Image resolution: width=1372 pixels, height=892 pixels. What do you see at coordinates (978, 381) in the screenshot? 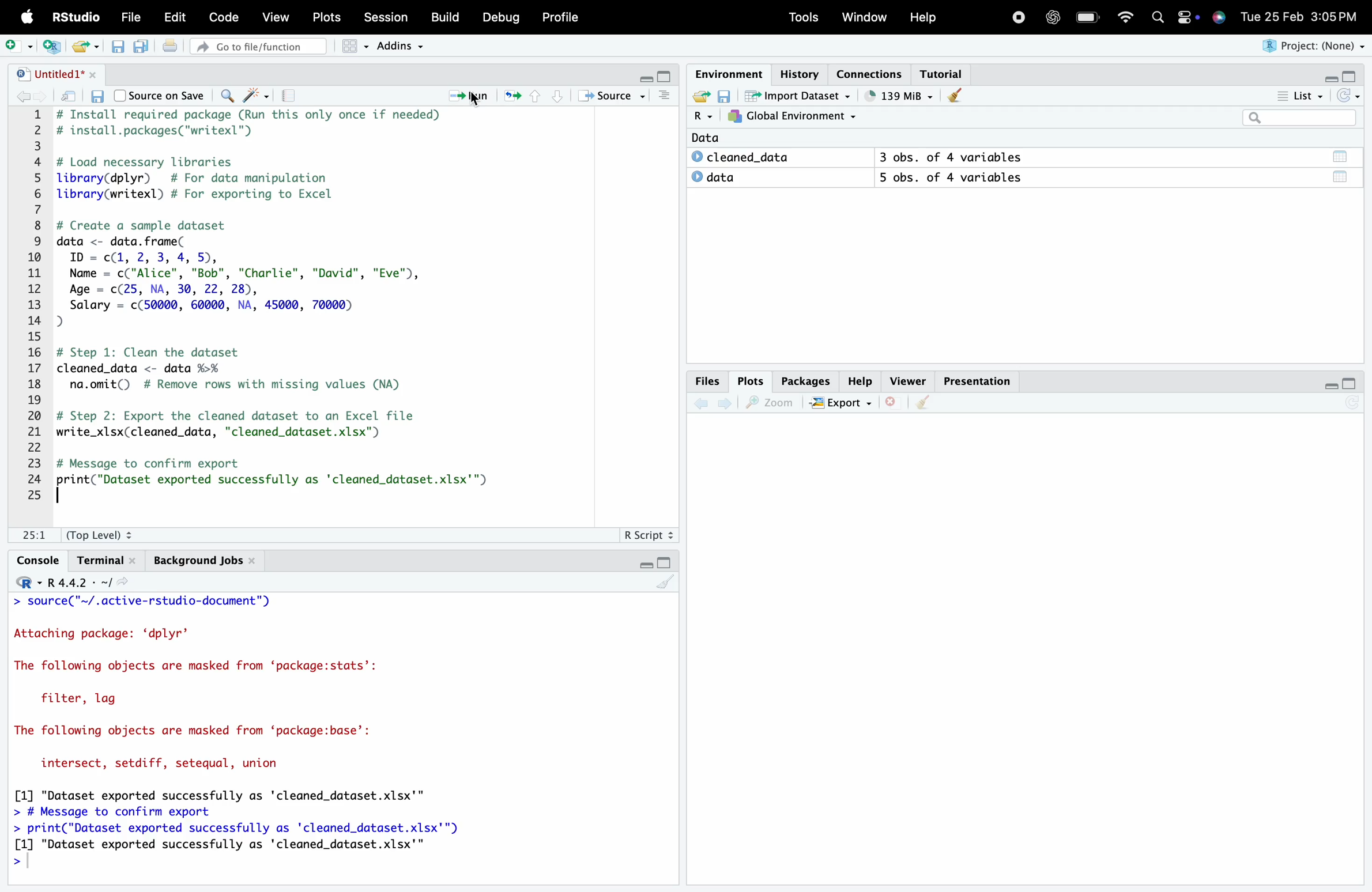
I see `Presentation` at bounding box center [978, 381].